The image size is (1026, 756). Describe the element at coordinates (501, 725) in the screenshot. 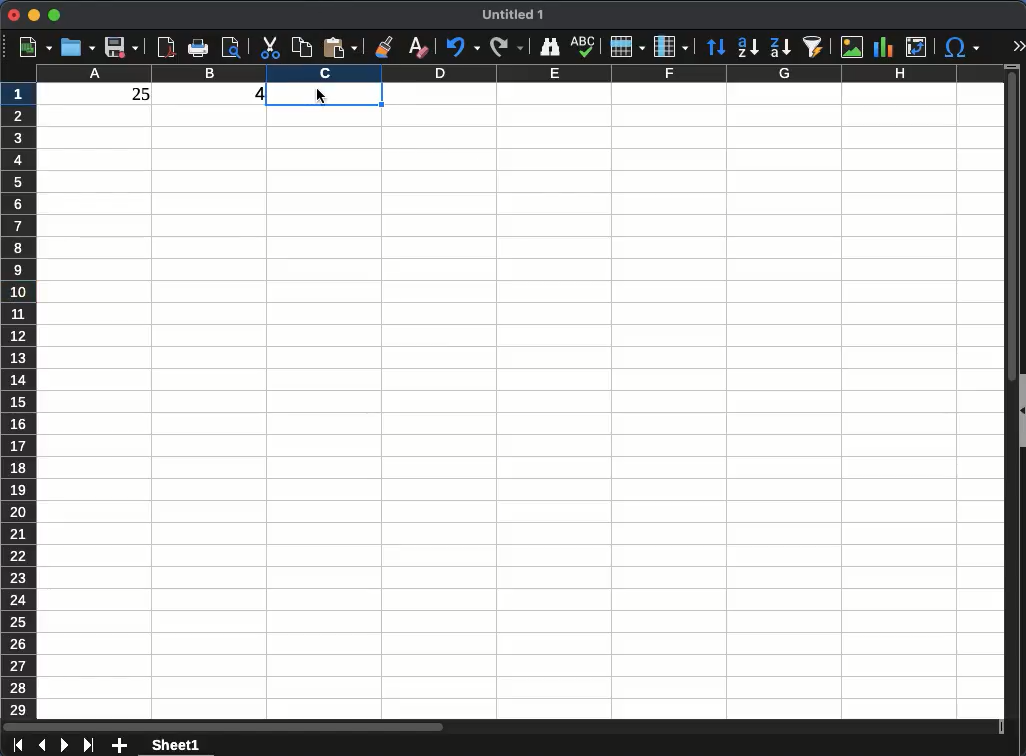

I see `scroll` at that location.